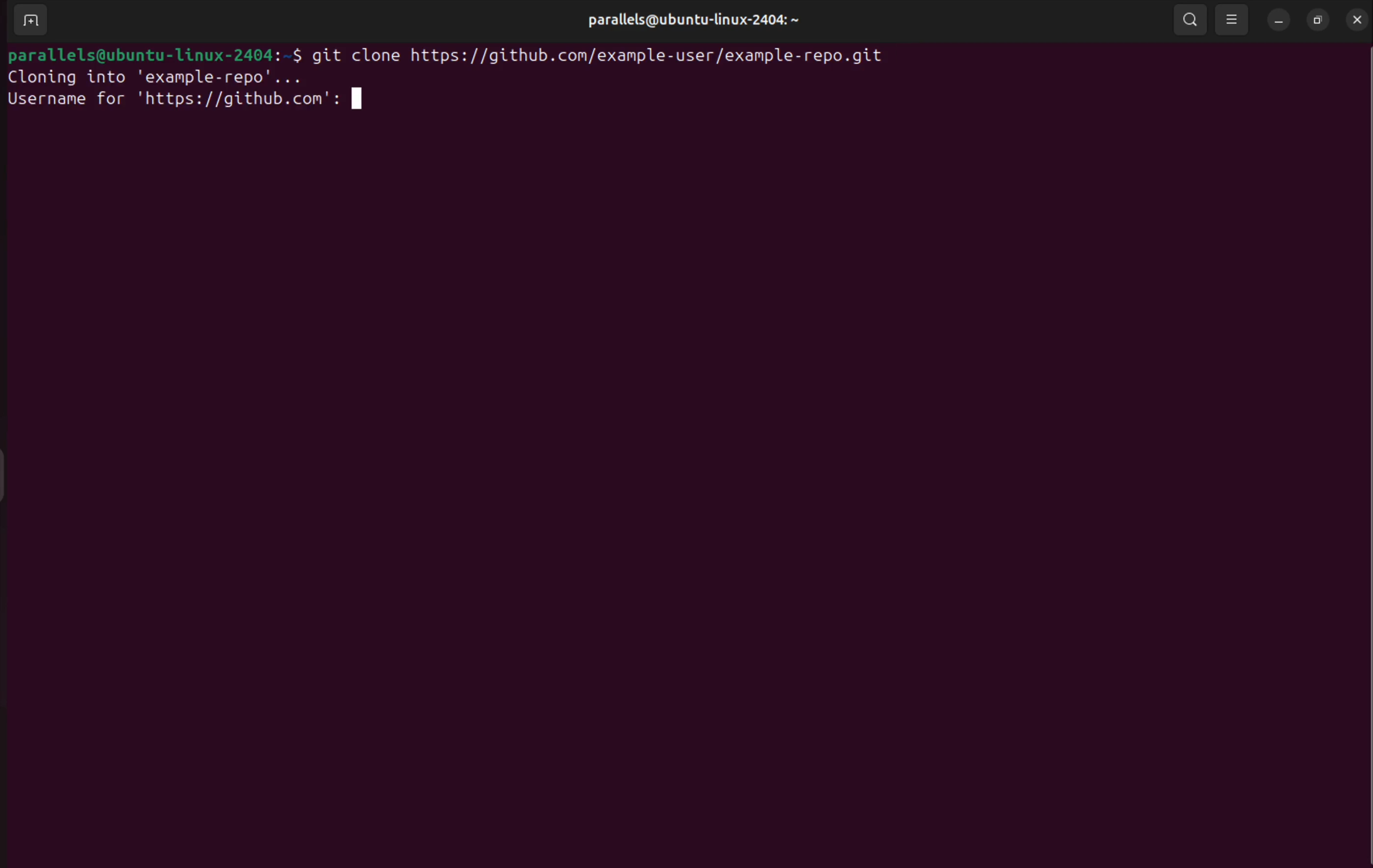 The height and width of the screenshot is (868, 1373). I want to click on close, so click(1358, 19).